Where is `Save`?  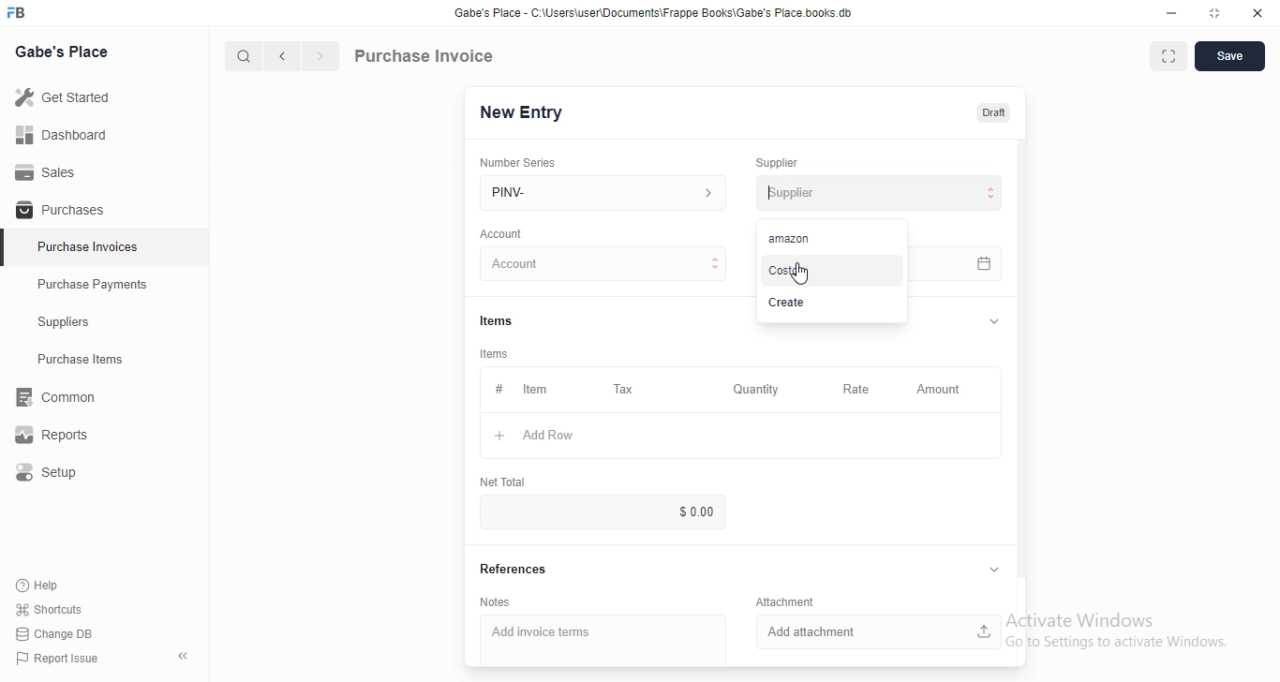
Save is located at coordinates (1230, 56).